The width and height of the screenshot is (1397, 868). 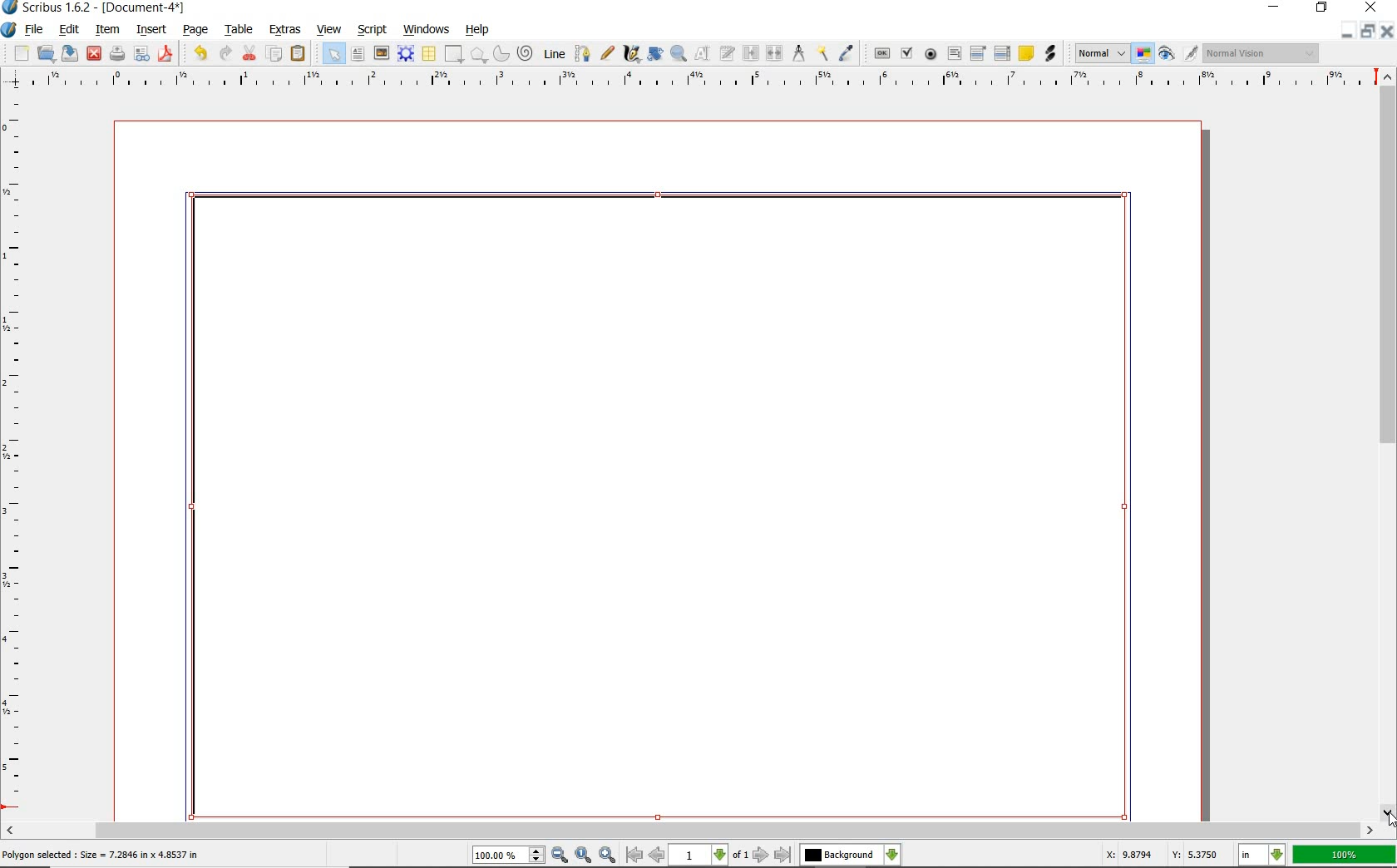 I want to click on page, so click(x=197, y=31).